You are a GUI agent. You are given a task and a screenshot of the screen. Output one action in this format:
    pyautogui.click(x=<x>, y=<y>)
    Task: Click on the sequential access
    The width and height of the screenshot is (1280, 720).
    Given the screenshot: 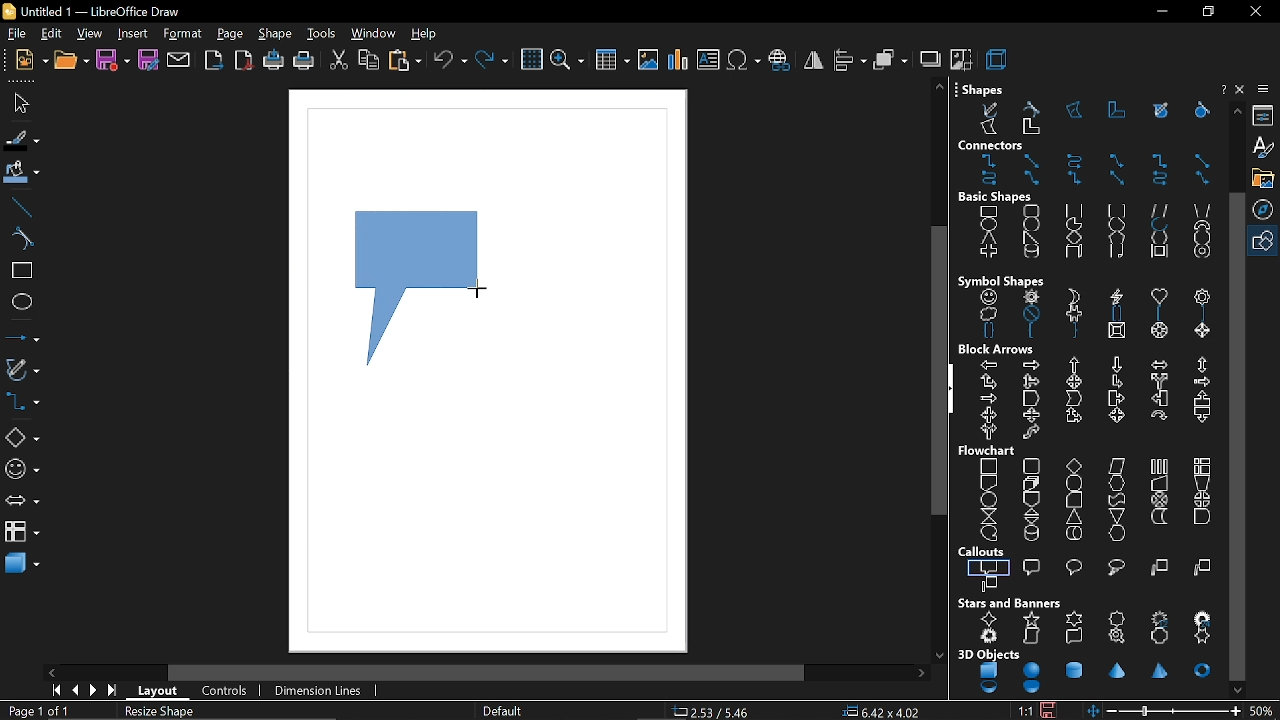 What is the action you would take?
    pyautogui.click(x=989, y=532)
    